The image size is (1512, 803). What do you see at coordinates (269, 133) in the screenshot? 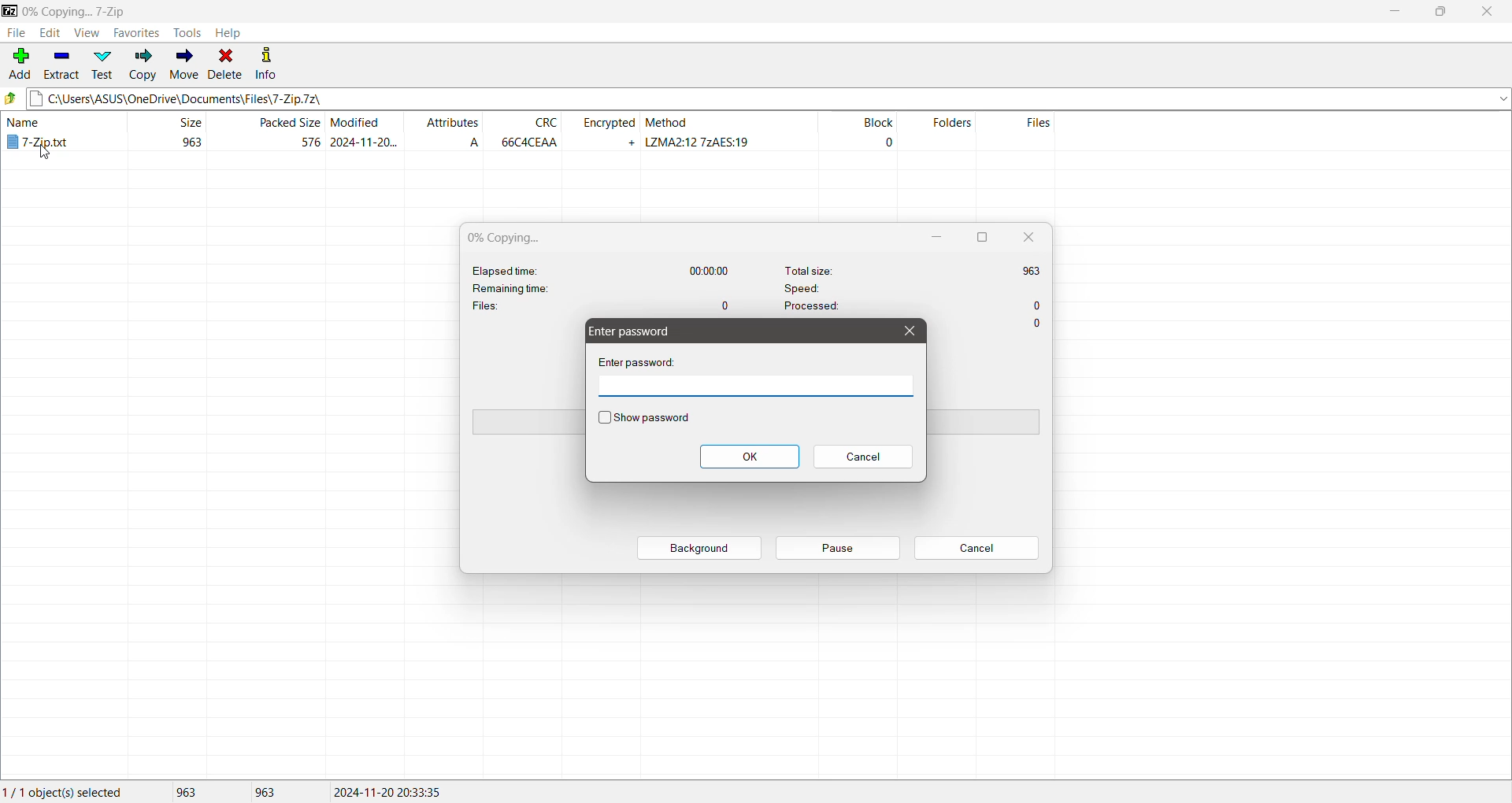
I see `Packed Size` at bounding box center [269, 133].